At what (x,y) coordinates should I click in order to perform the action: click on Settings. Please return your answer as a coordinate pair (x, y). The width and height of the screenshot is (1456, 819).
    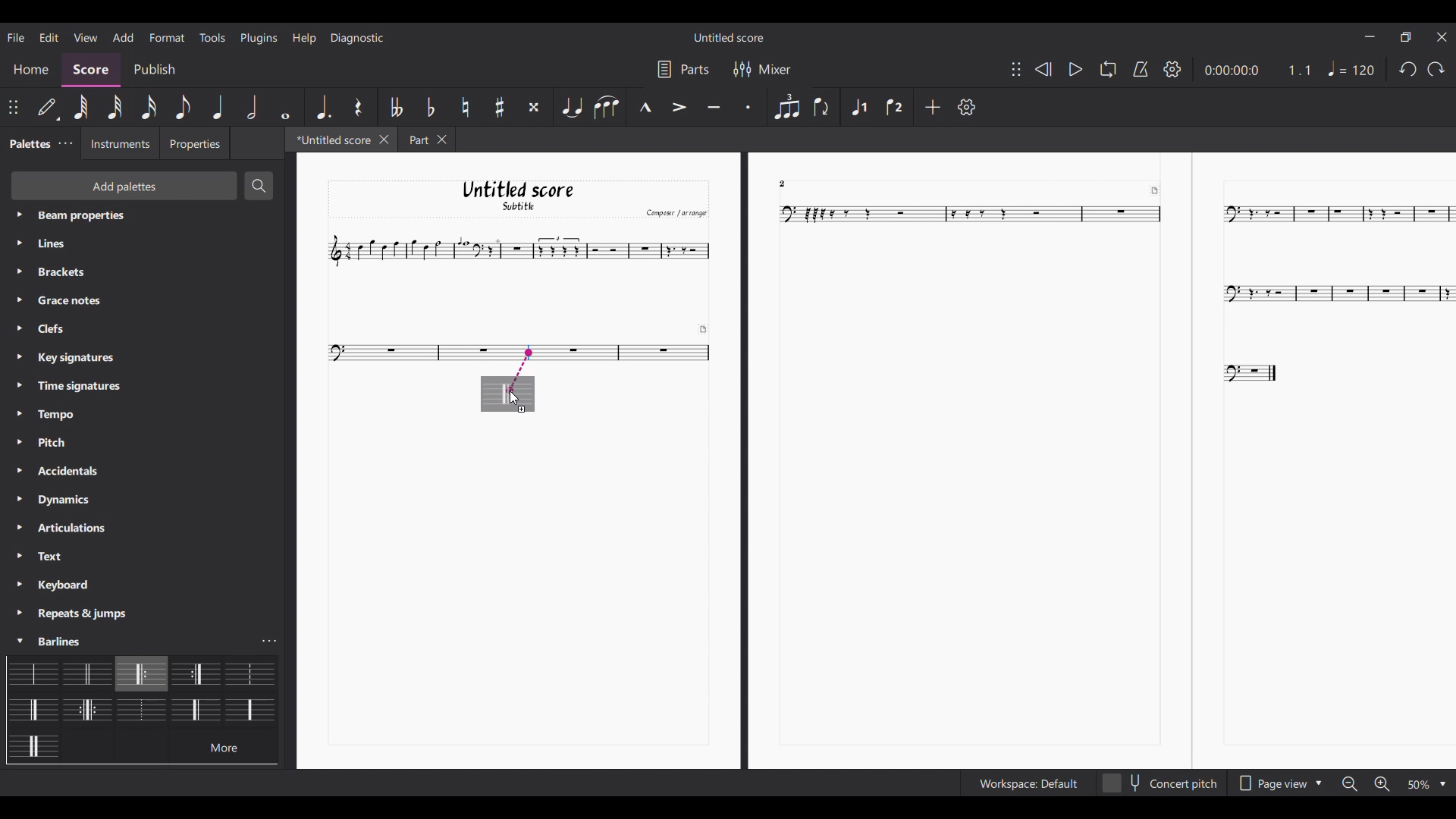
    Looking at the image, I should click on (967, 107).